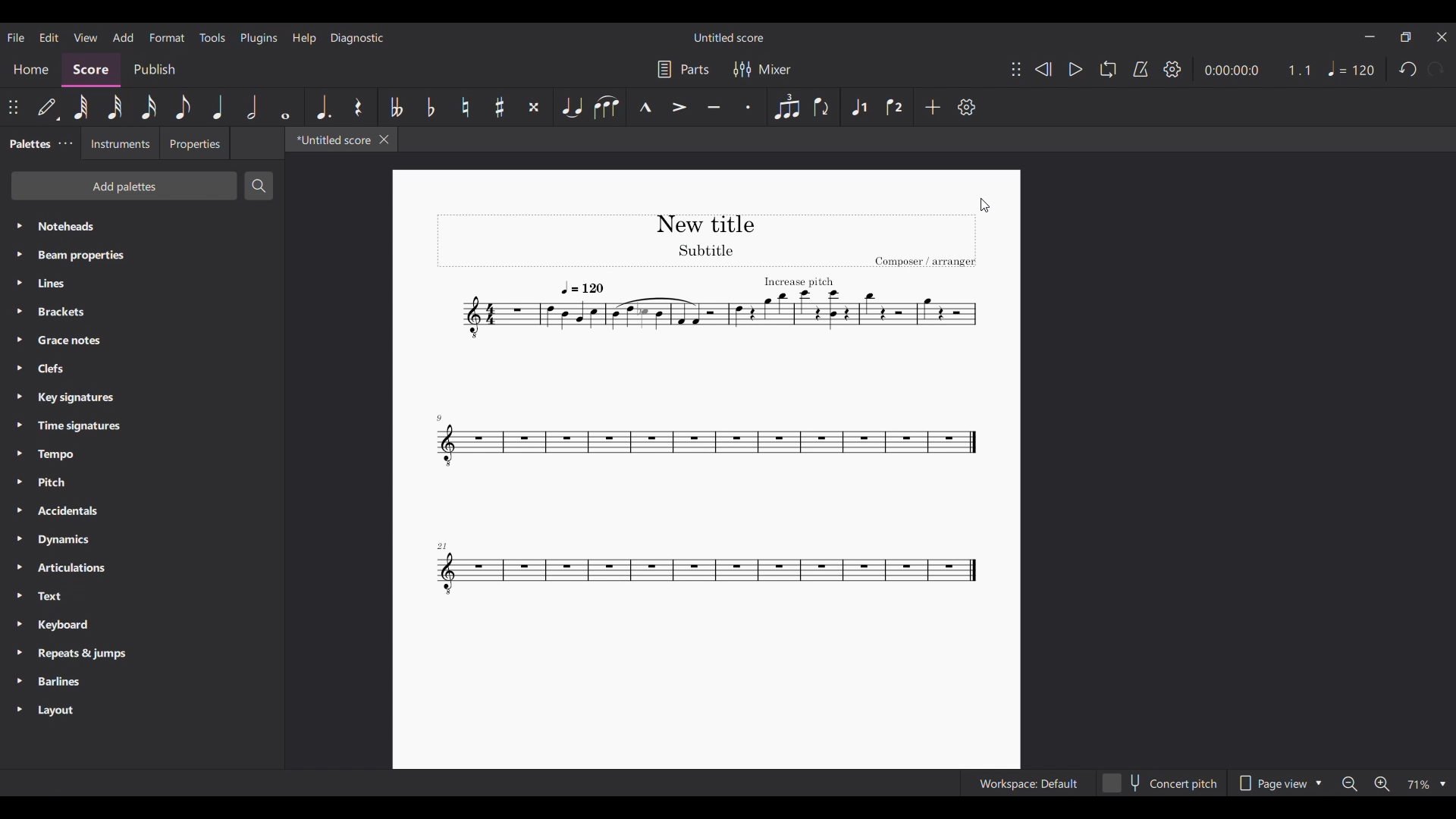 The width and height of the screenshot is (1456, 819). I want to click on Tempo, so click(142, 454).